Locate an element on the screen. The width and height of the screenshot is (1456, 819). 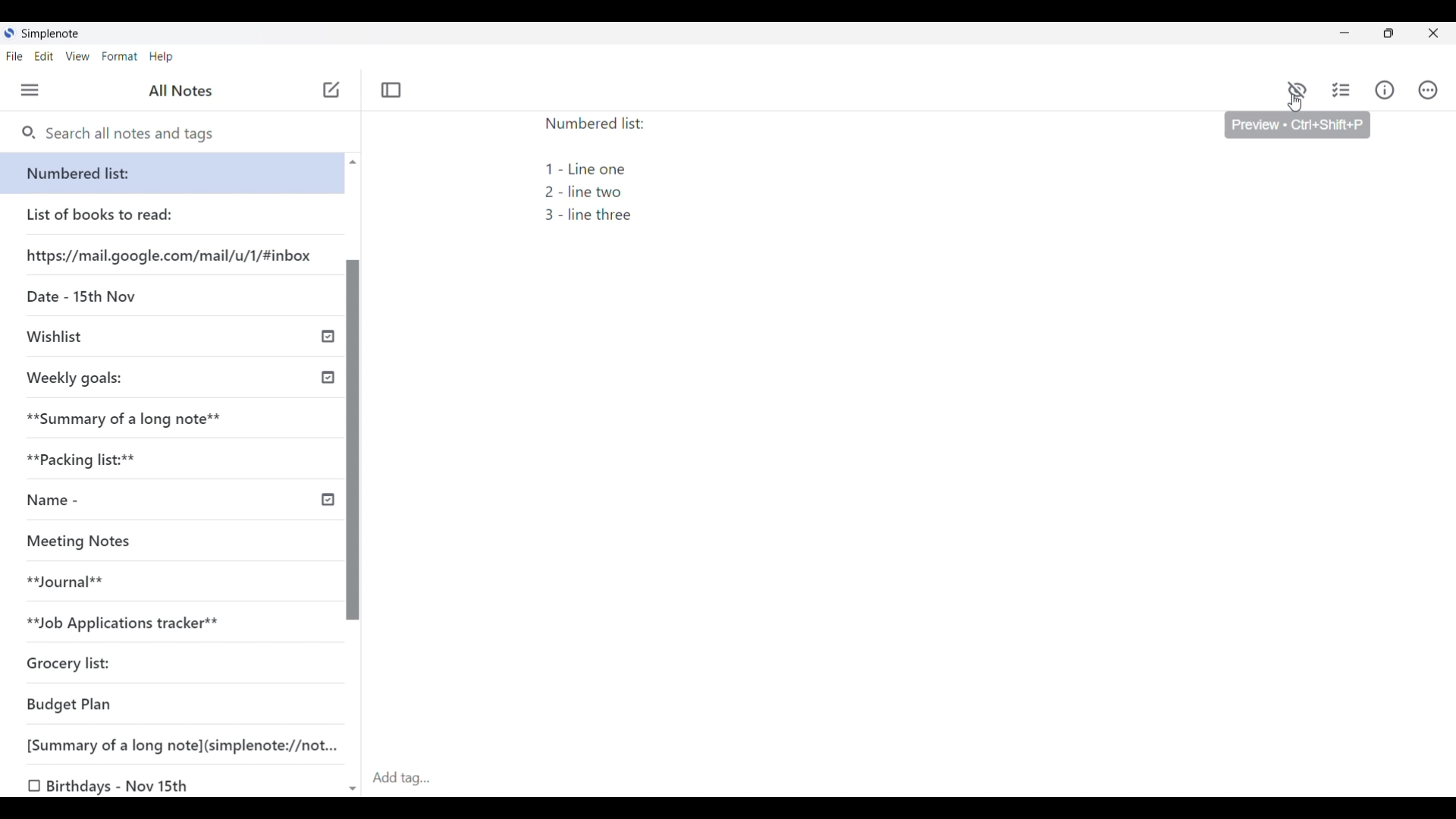
Vertical slide bar is located at coordinates (354, 440).